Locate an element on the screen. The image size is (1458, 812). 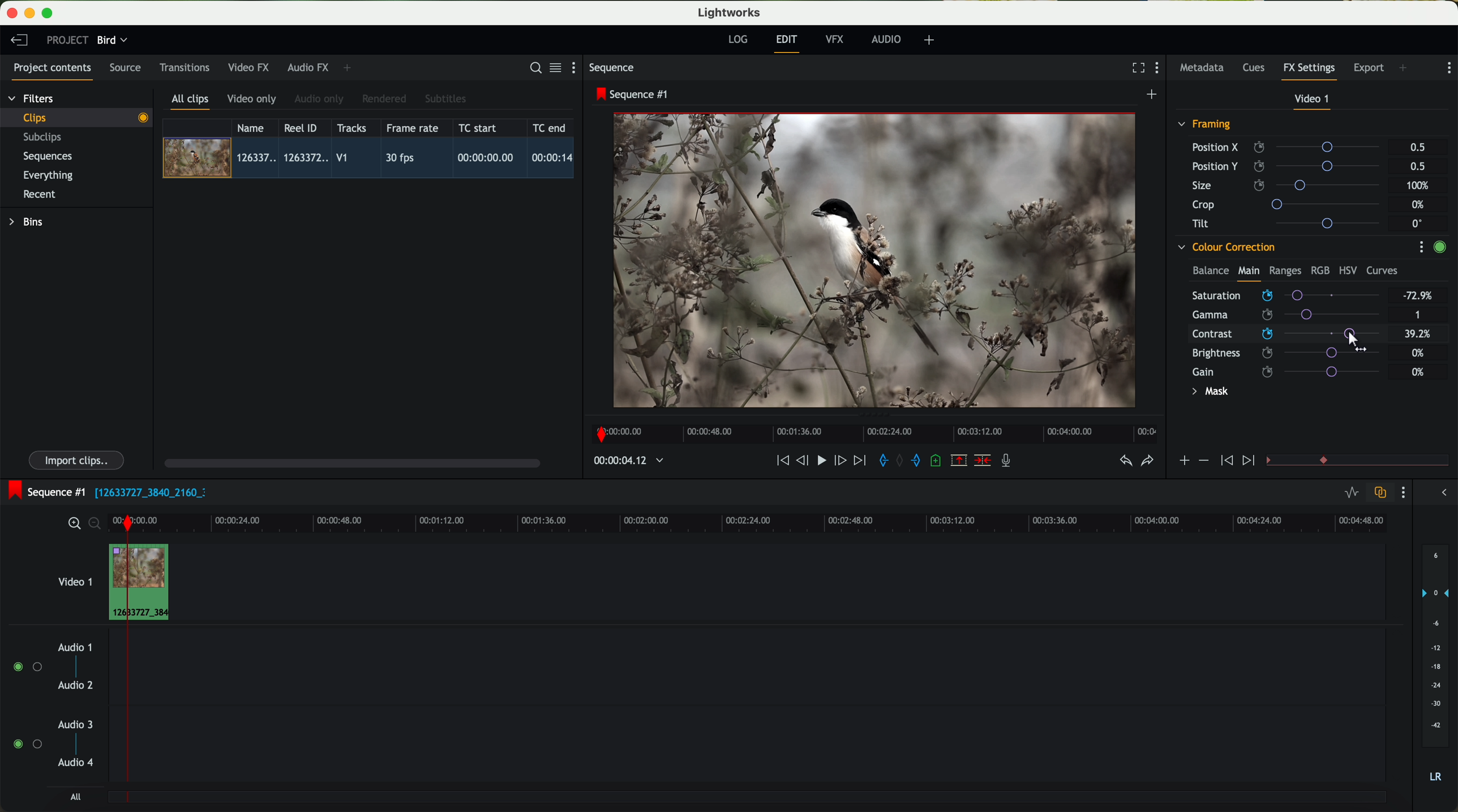
add panel is located at coordinates (1406, 69).